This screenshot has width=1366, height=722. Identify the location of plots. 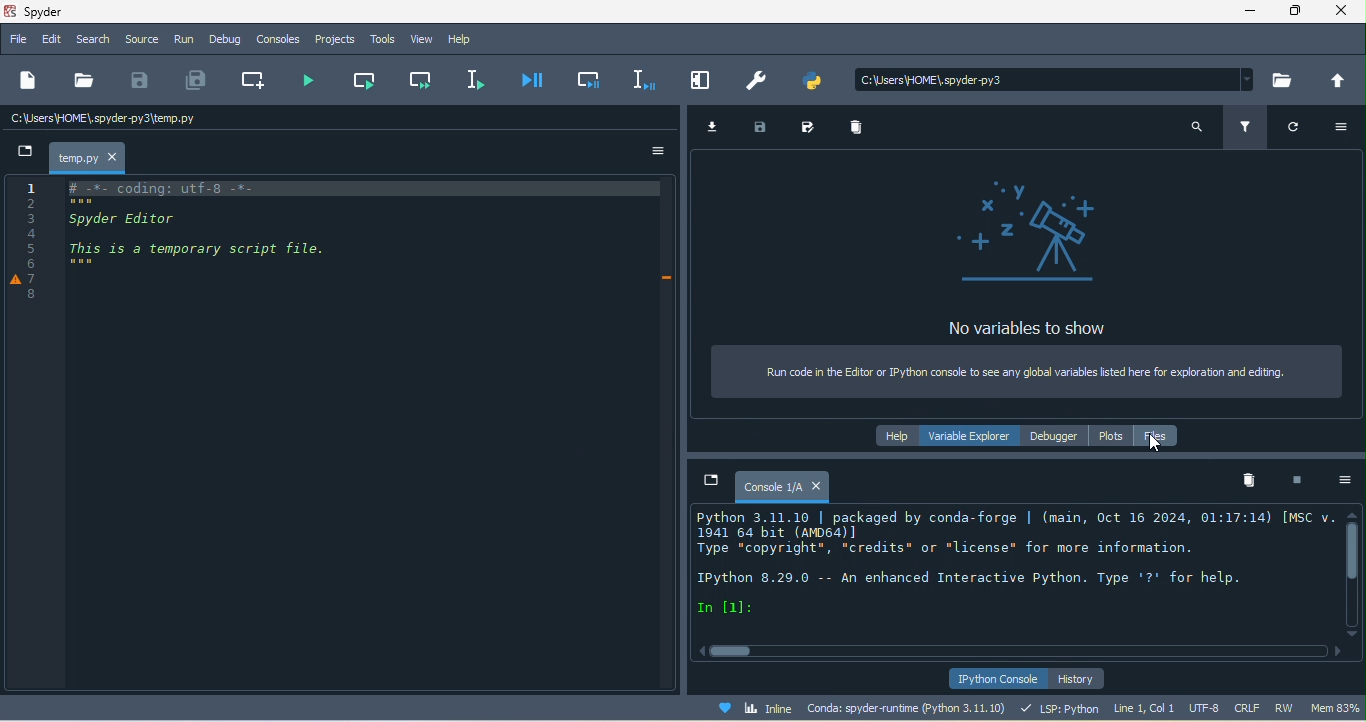
(1114, 437).